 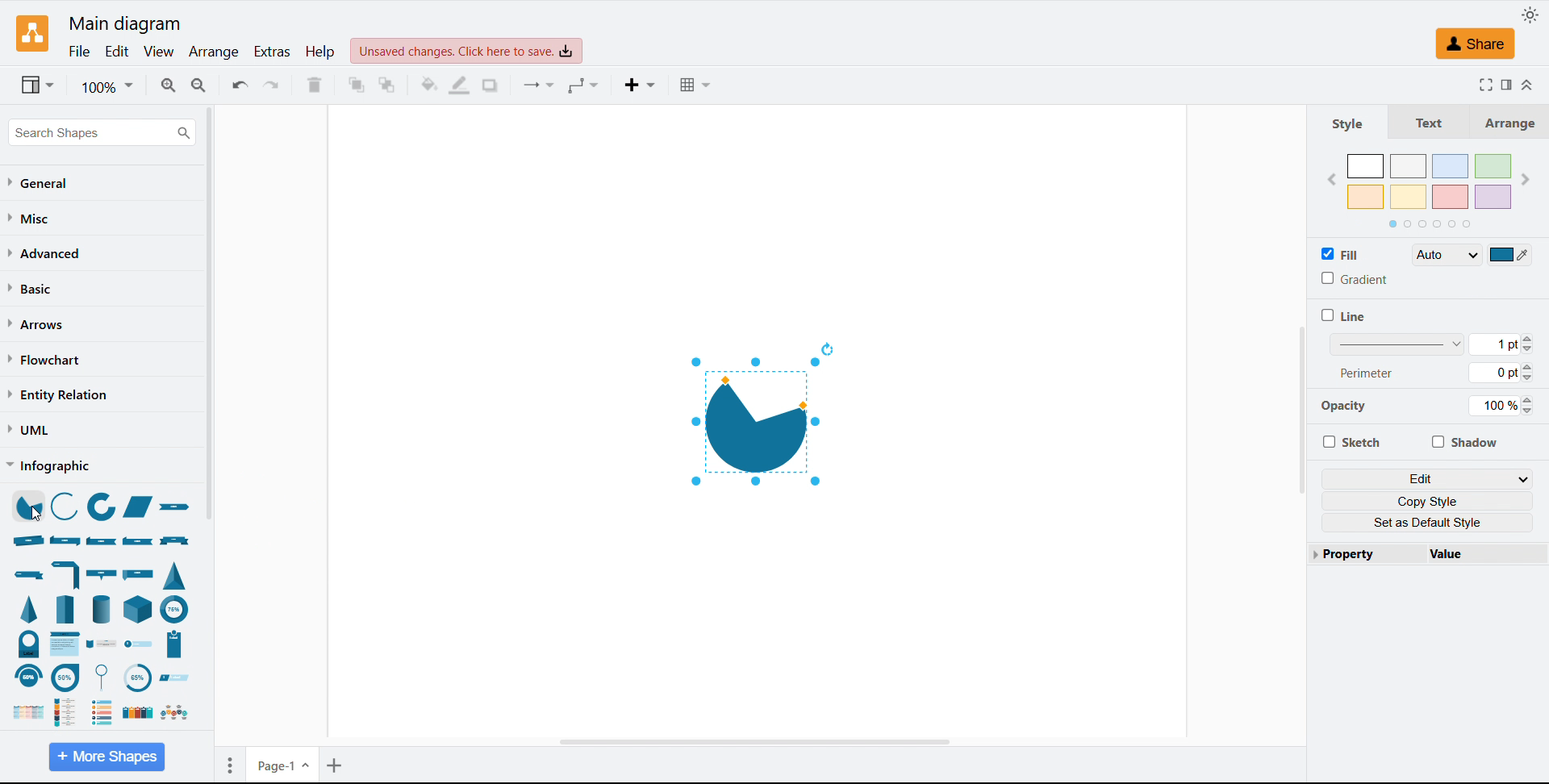 What do you see at coordinates (230, 763) in the screenshot?
I see `Page options ` at bounding box center [230, 763].